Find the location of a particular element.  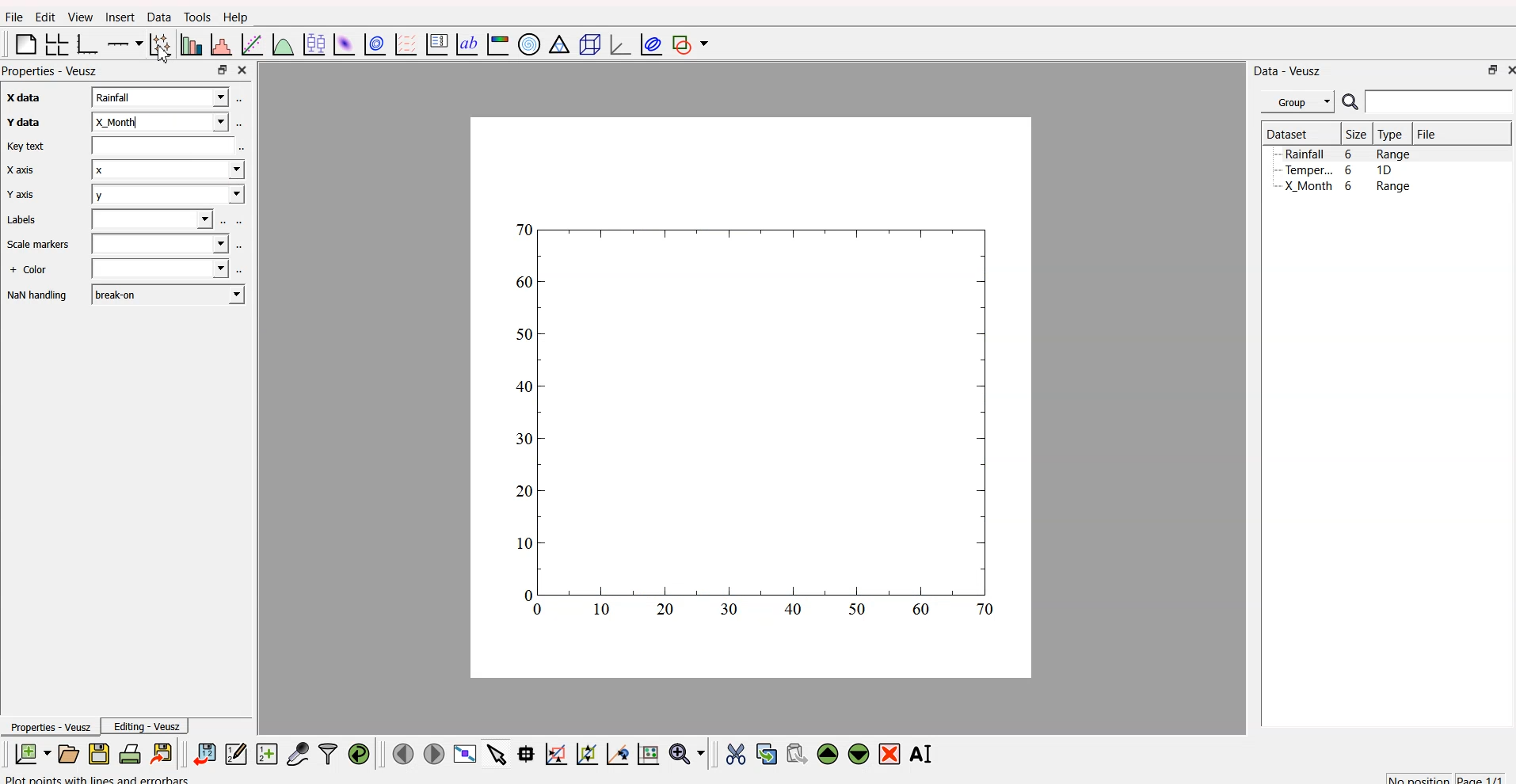

remove the selected widget is located at coordinates (890, 754).